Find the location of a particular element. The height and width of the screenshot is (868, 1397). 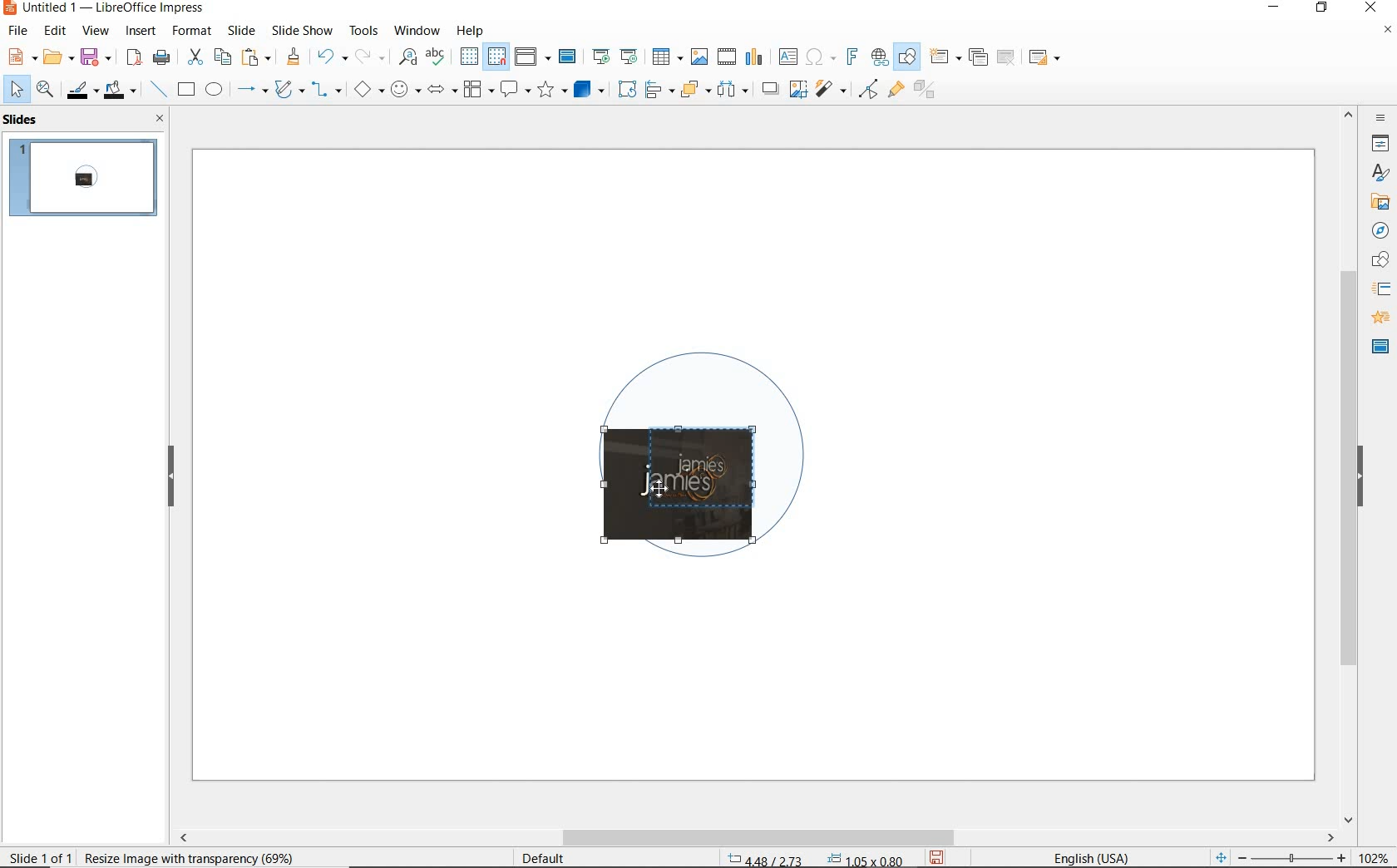

hide is located at coordinates (171, 477).